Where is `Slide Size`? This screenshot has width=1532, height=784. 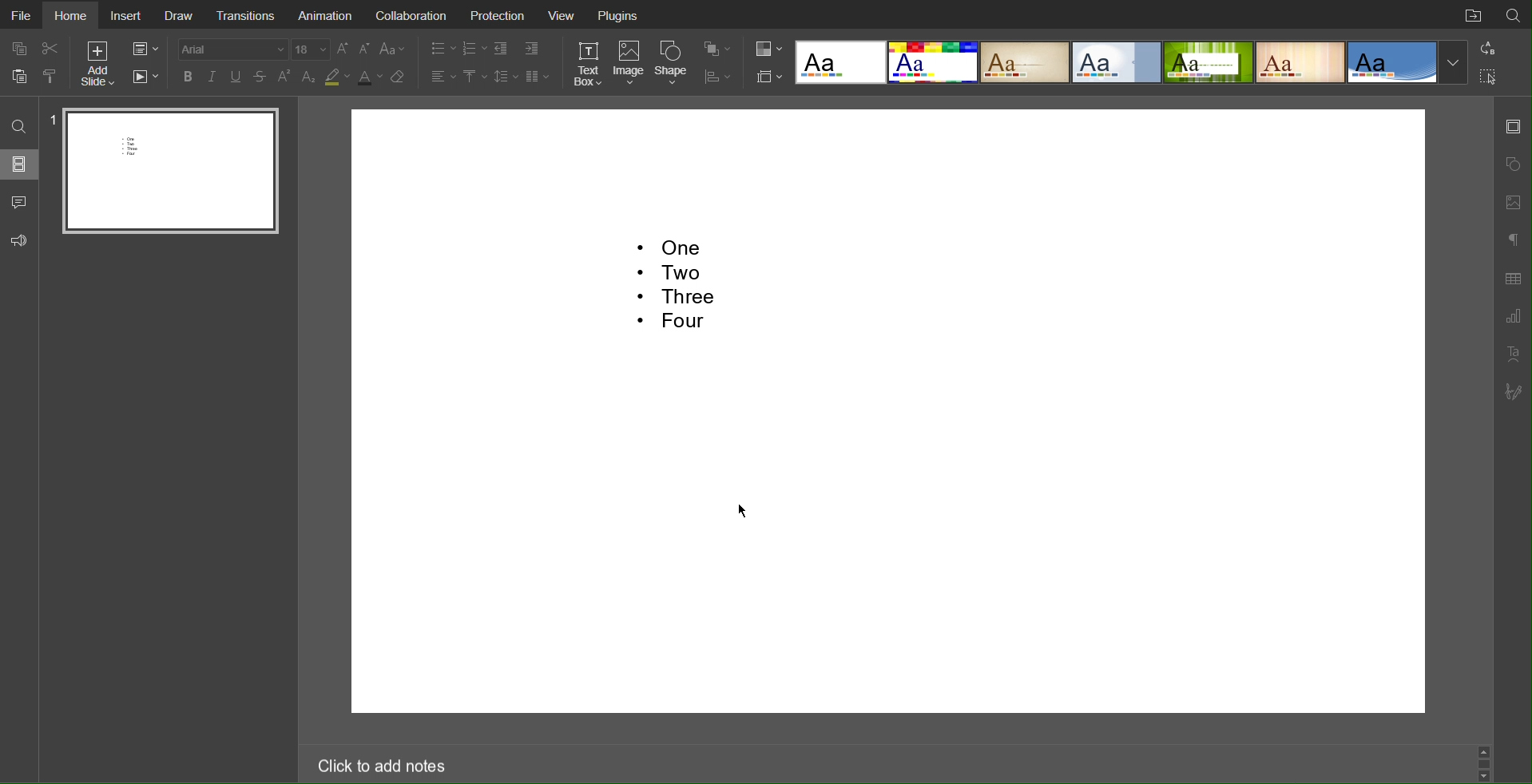 Slide Size is located at coordinates (767, 76).